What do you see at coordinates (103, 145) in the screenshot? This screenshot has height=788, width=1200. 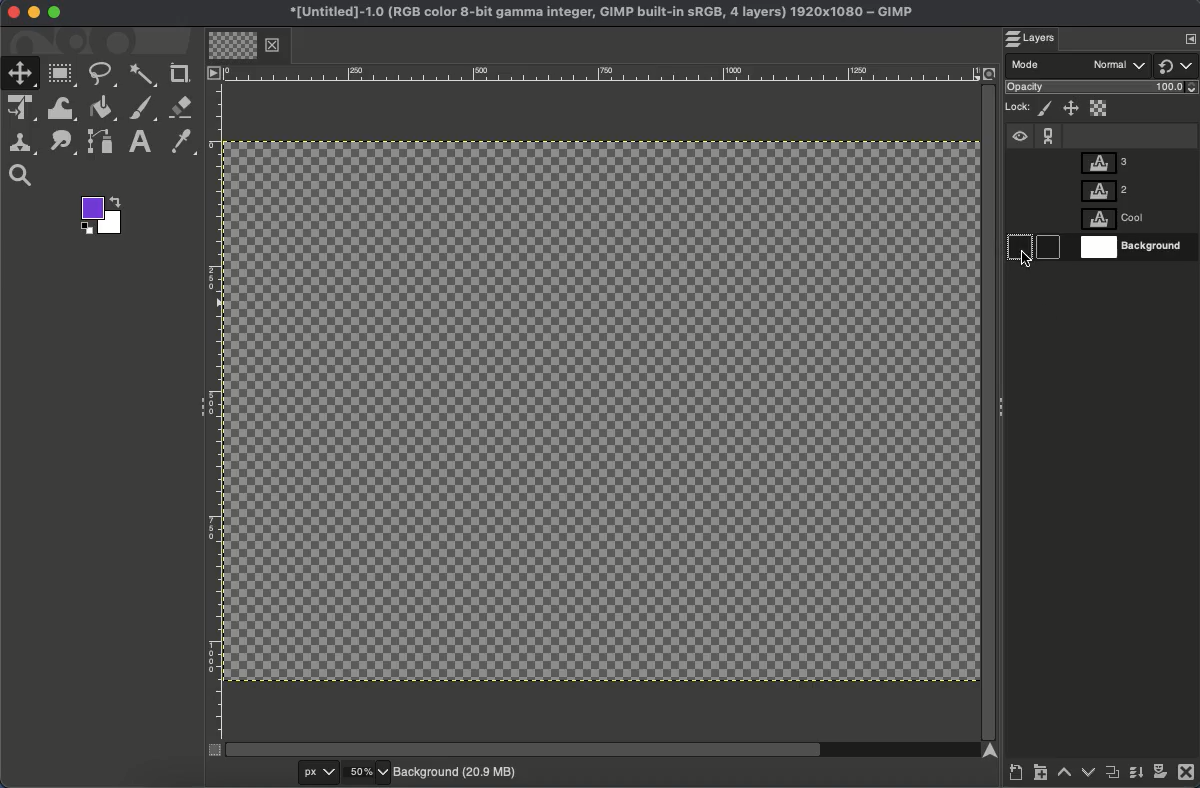 I see `Path` at bounding box center [103, 145].